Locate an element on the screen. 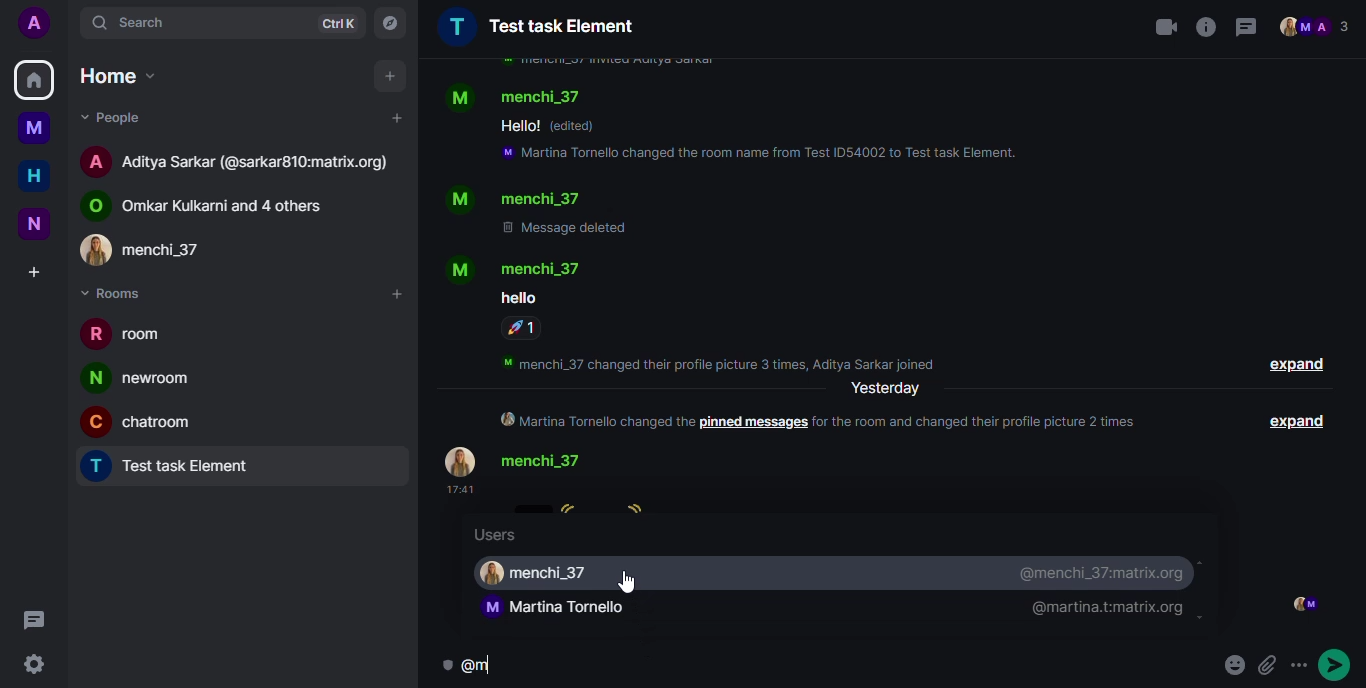 This screenshot has width=1366, height=688. emoji is located at coordinates (1232, 664).